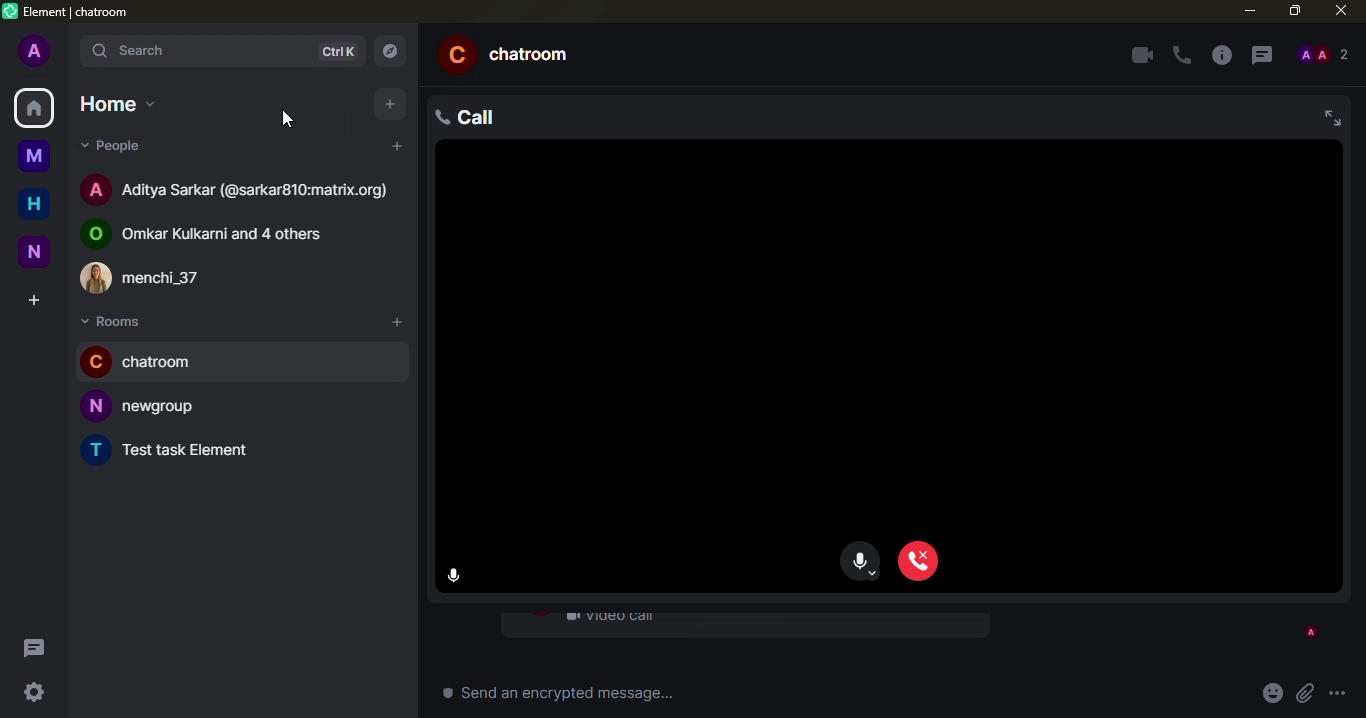 This screenshot has height=718, width=1366. Describe the element at coordinates (1292, 11) in the screenshot. I see `maximize` at that location.